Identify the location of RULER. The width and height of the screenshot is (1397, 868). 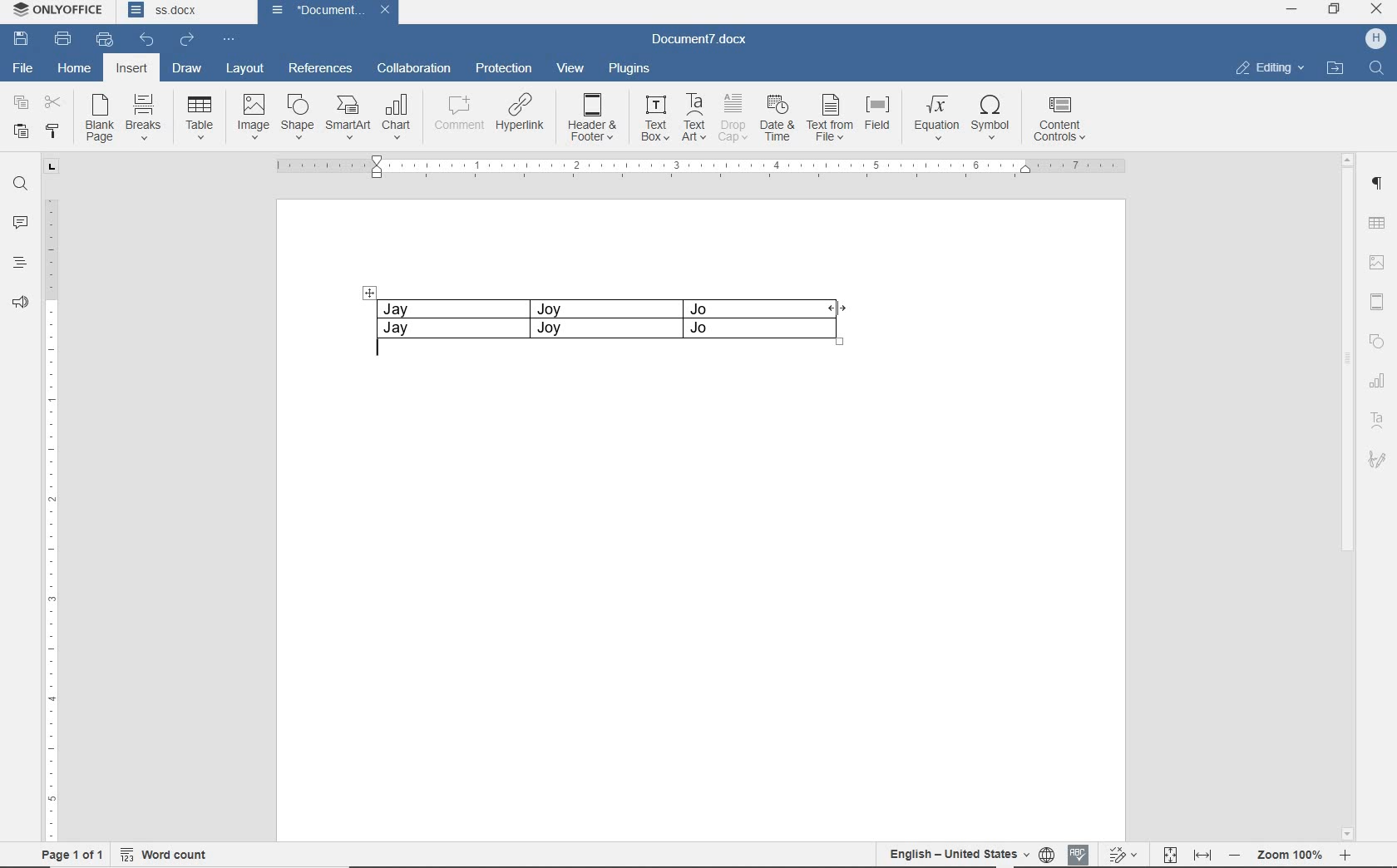
(51, 521).